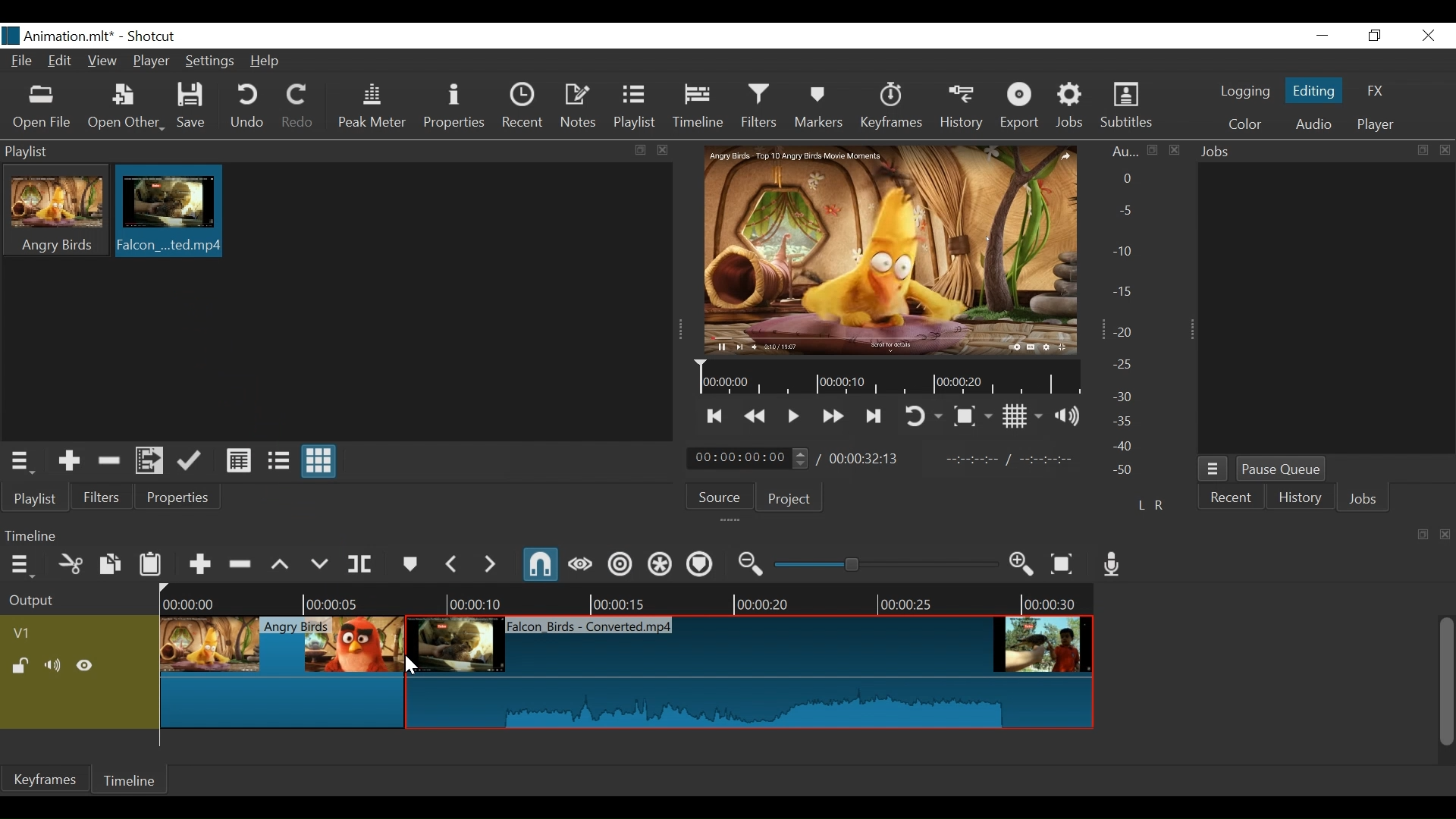  What do you see at coordinates (281, 673) in the screenshot?
I see `Clip` at bounding box center [281, 673].